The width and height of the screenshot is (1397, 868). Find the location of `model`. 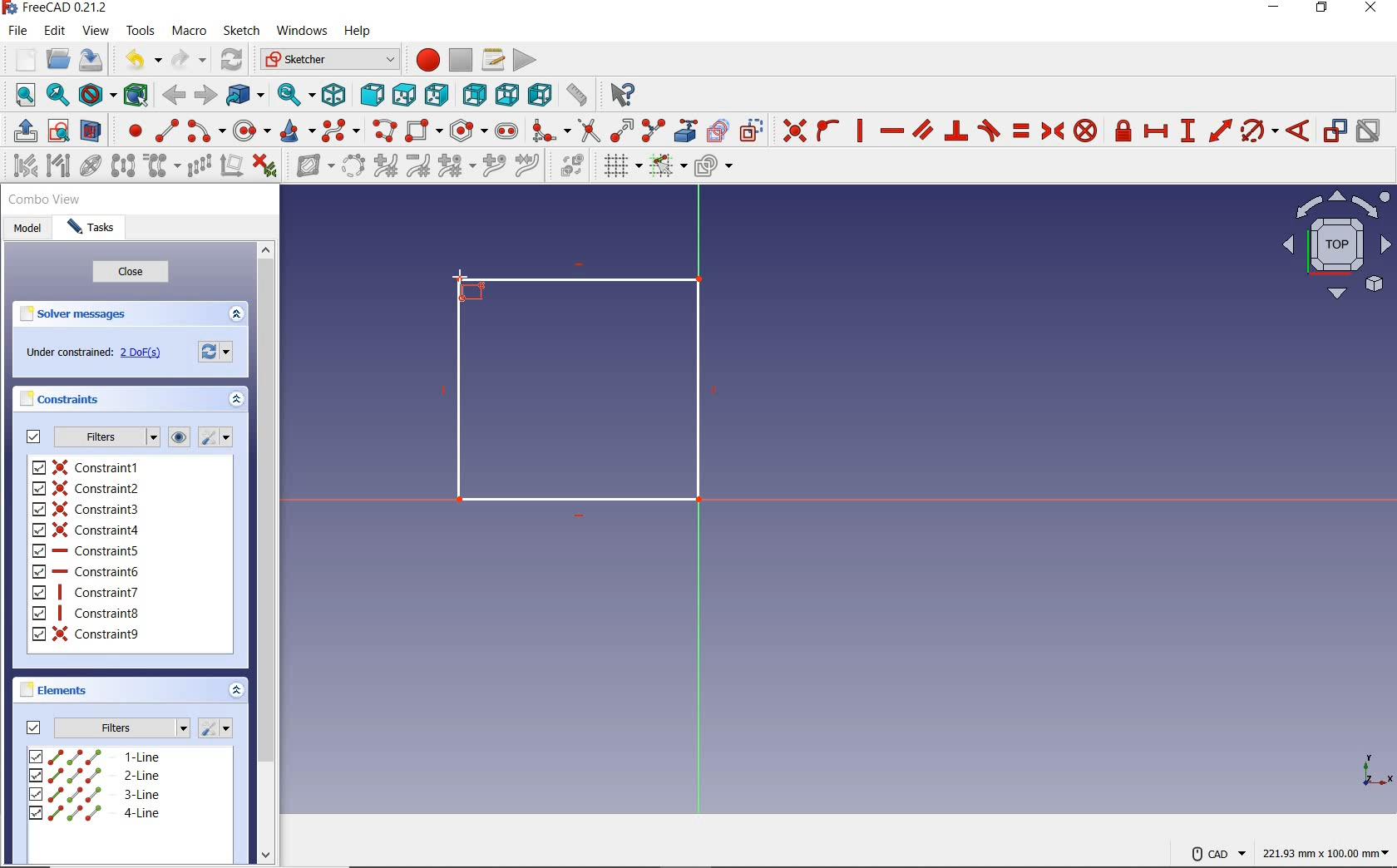

model is located at coordinates (27, 229).